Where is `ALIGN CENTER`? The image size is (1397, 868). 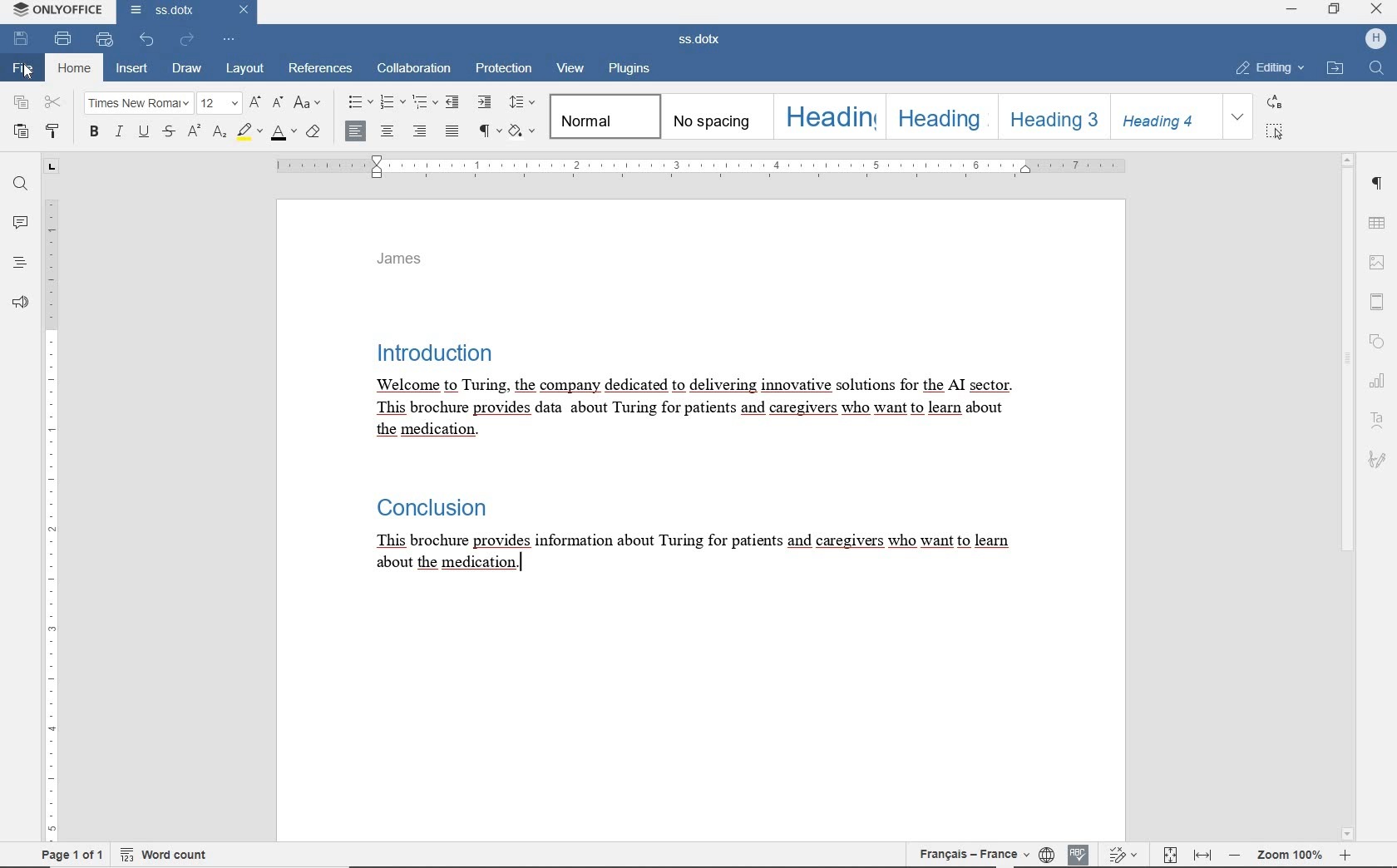
ALIGN CENTER is located at coordinates (386, 131).